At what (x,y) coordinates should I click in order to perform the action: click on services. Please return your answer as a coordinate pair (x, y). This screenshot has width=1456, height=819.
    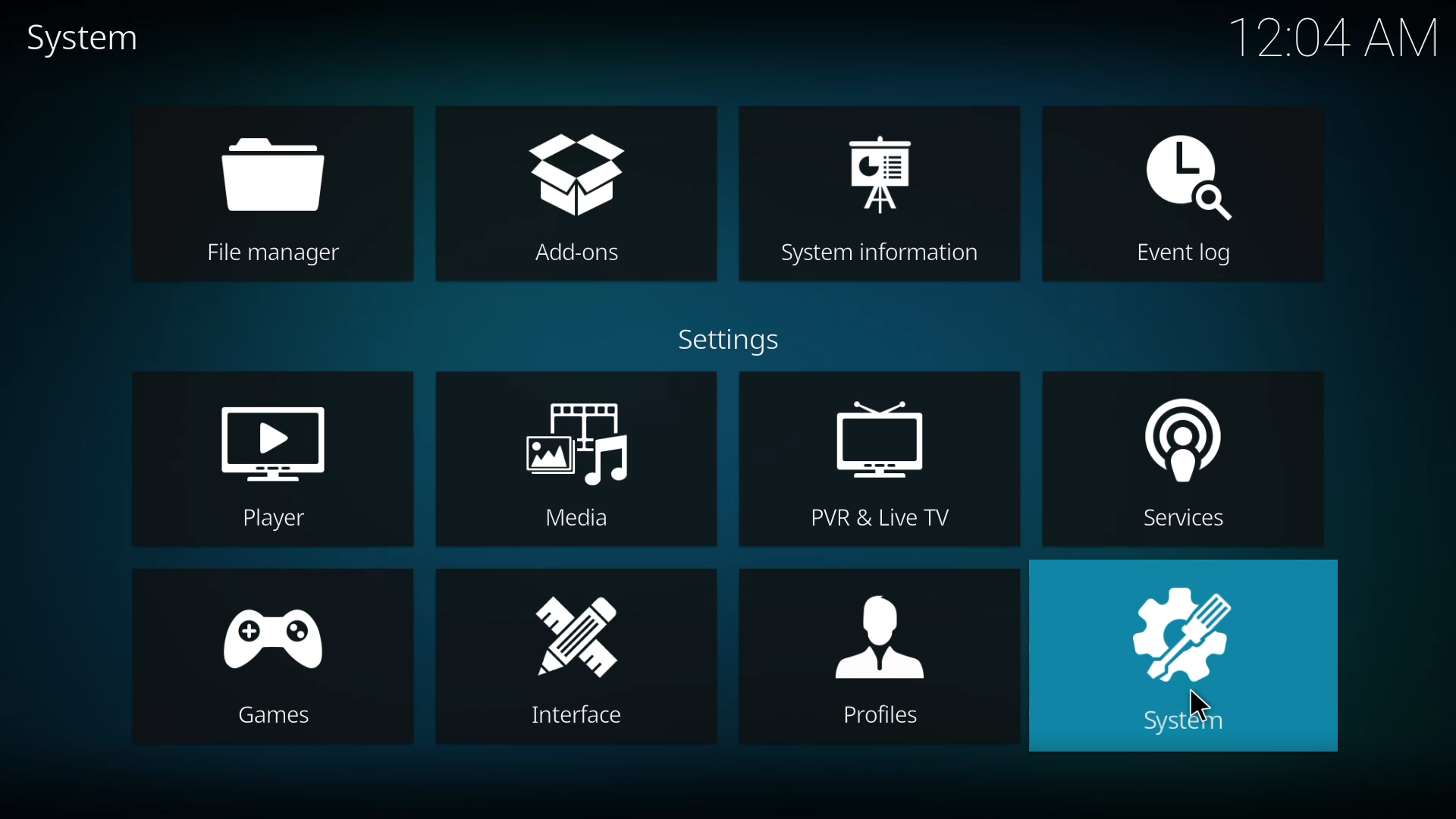
    Looking at the image, I should click on (1189, 457).